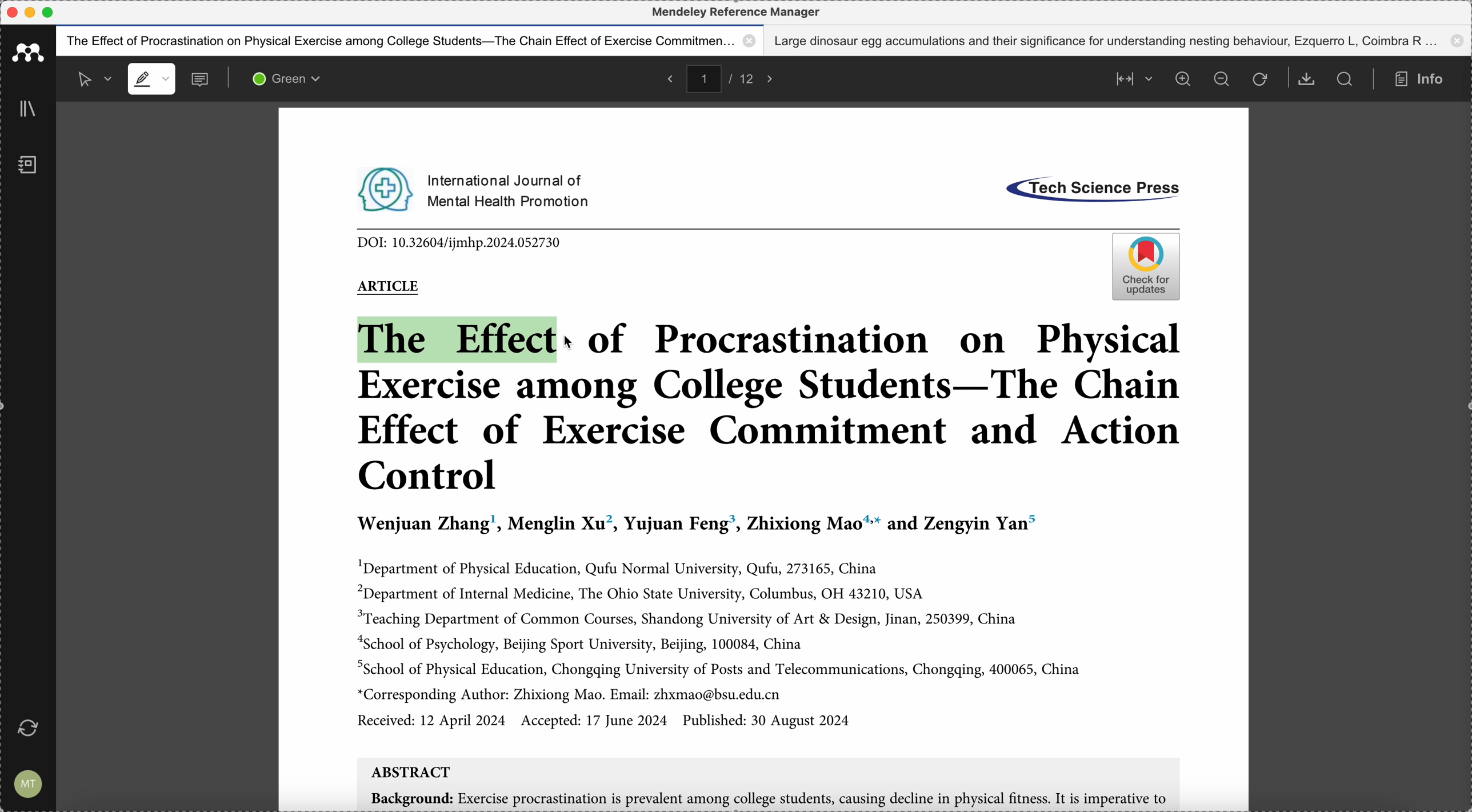 The width and height of the screenshot is (1472, 812). Describe the element at coordinates (33, 12) in the screenshot. I see `minimize` at that location.